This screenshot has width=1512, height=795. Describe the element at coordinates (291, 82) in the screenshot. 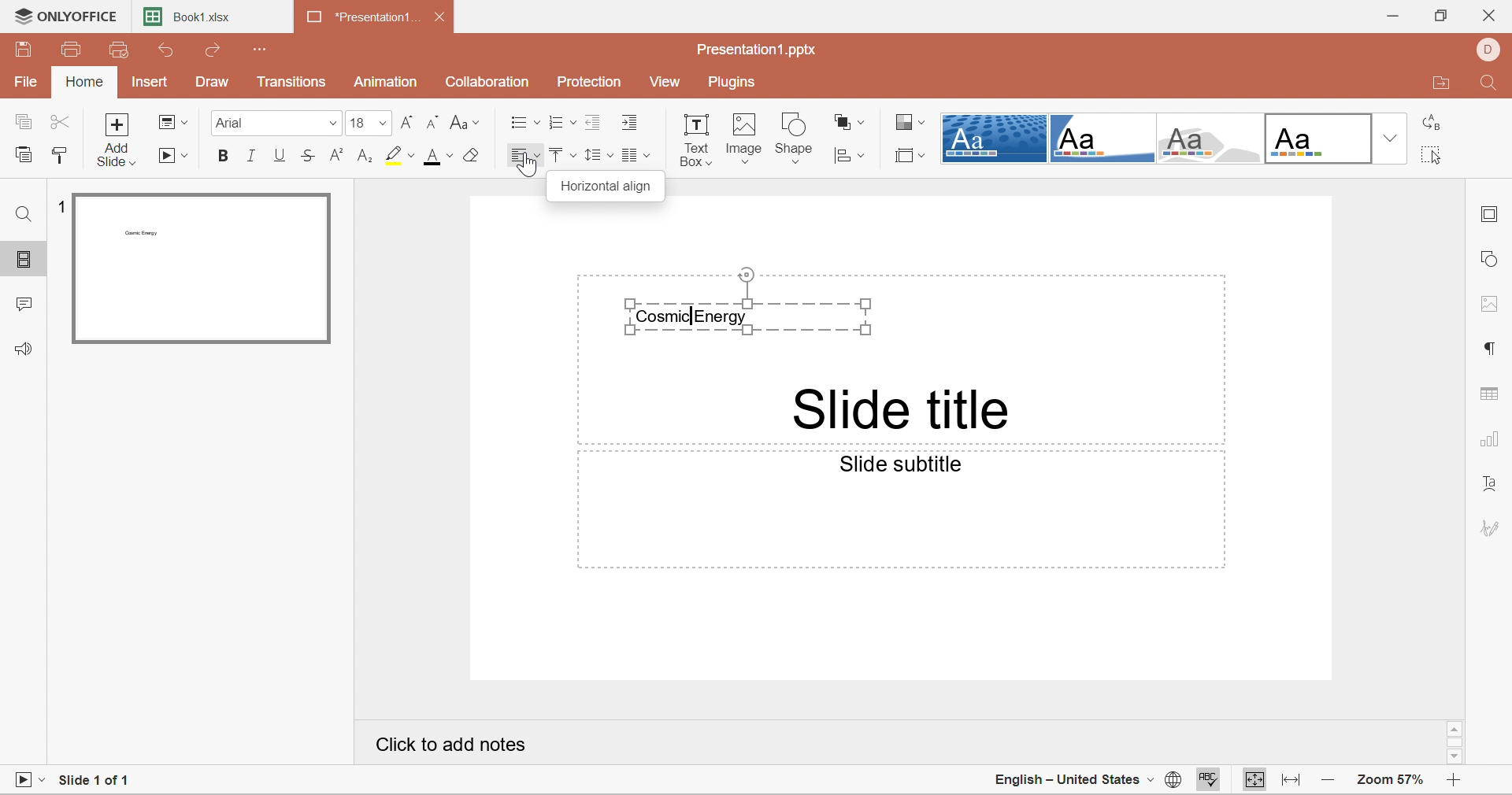

I see `Transitions` at that location.